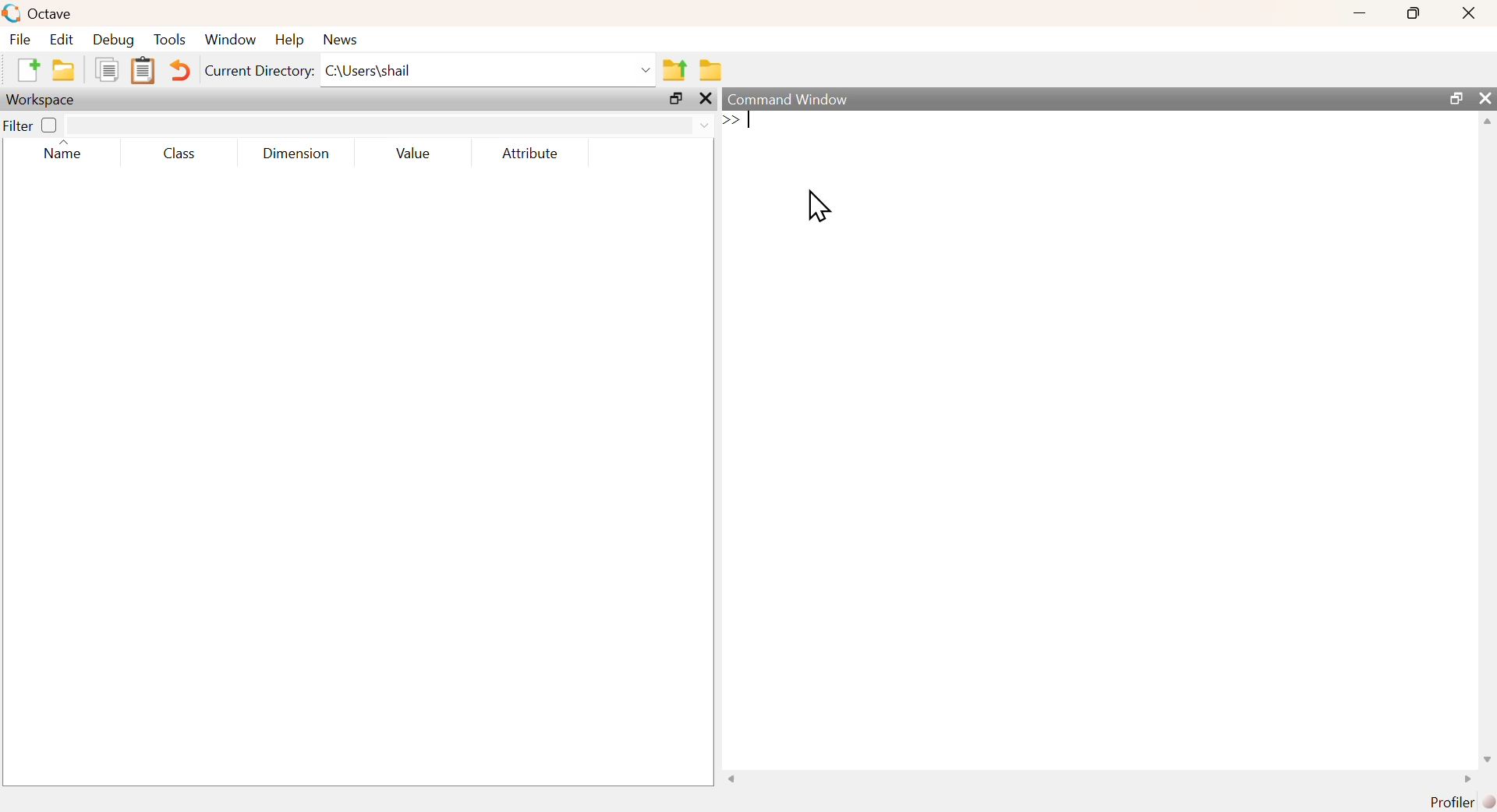  I want to click on Duplicate, so click(105, 69).